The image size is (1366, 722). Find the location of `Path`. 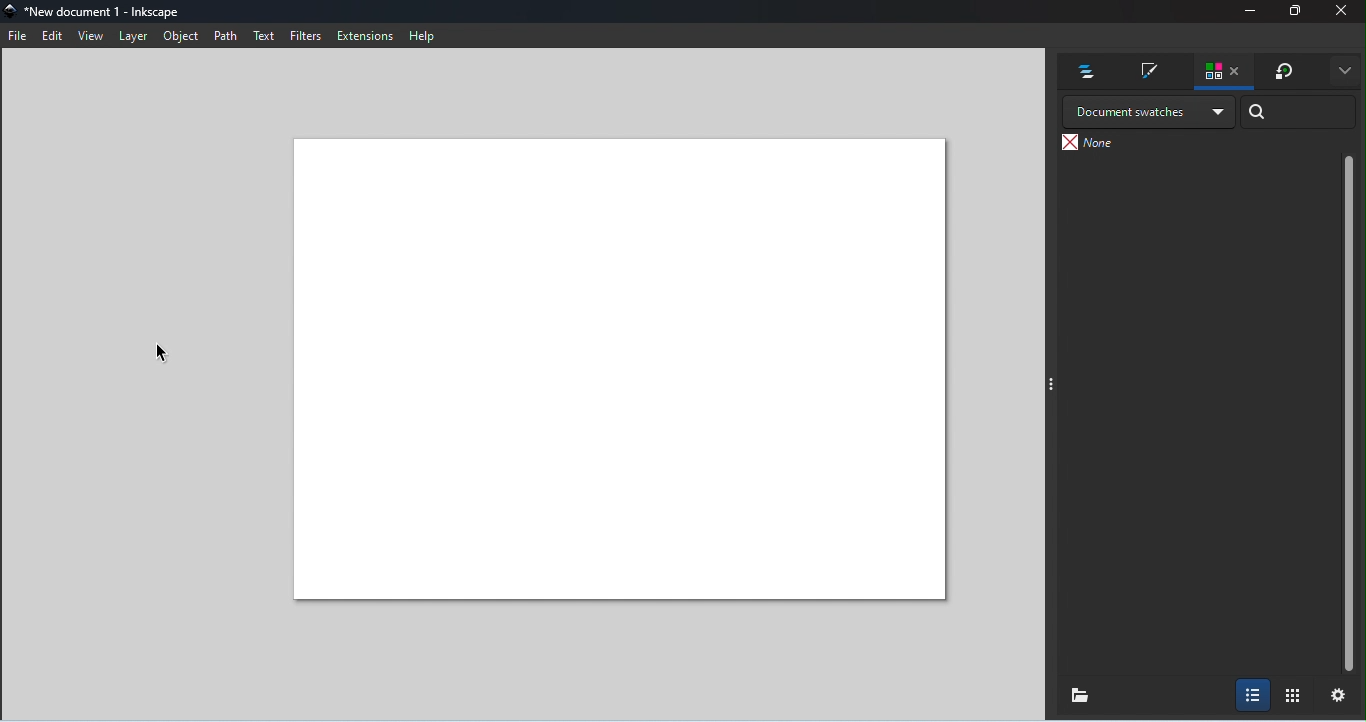

Path is located at coordinates (231, 36).